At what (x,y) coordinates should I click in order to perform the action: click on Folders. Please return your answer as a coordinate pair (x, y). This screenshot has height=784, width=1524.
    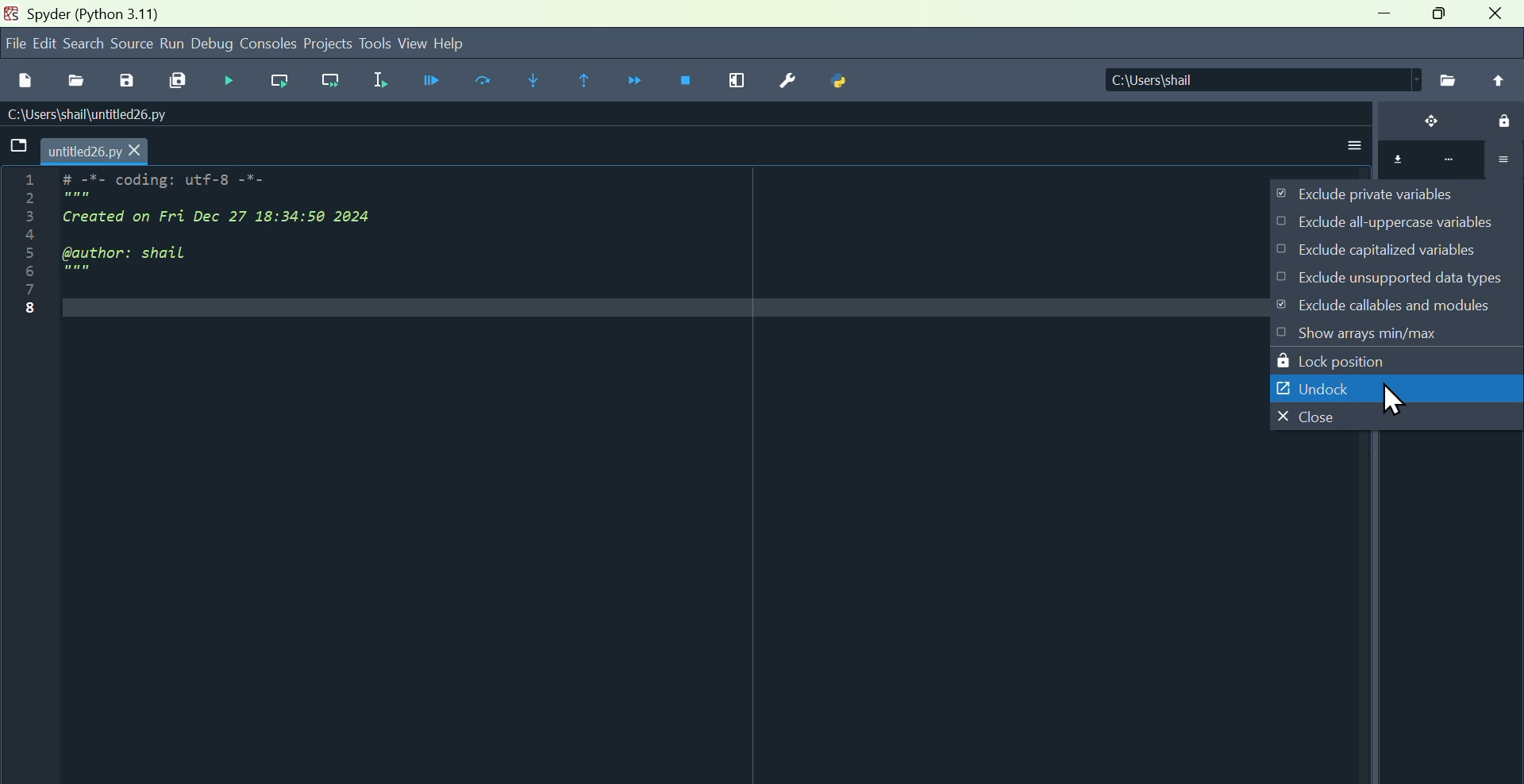
    Looking at the image, I should click on (16, 148).